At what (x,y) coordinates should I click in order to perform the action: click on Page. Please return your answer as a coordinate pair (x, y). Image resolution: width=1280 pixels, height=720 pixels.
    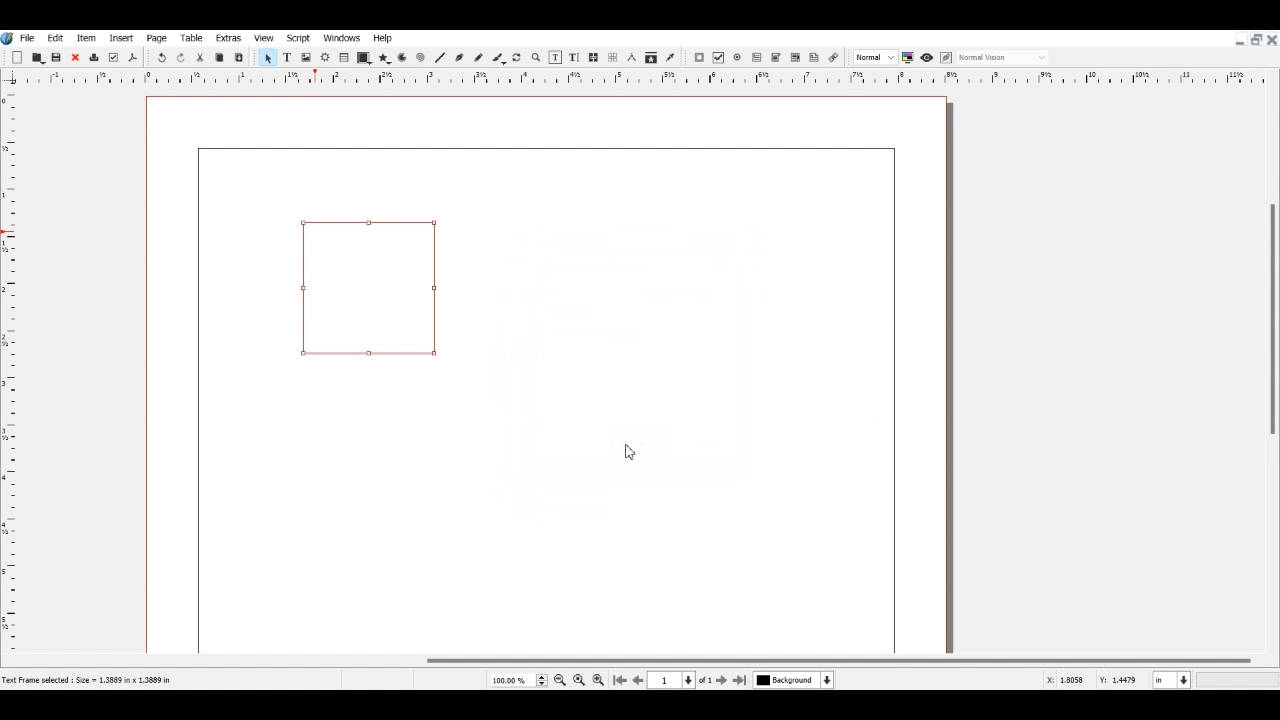
    Looking at the image, I should click on (157, 38).